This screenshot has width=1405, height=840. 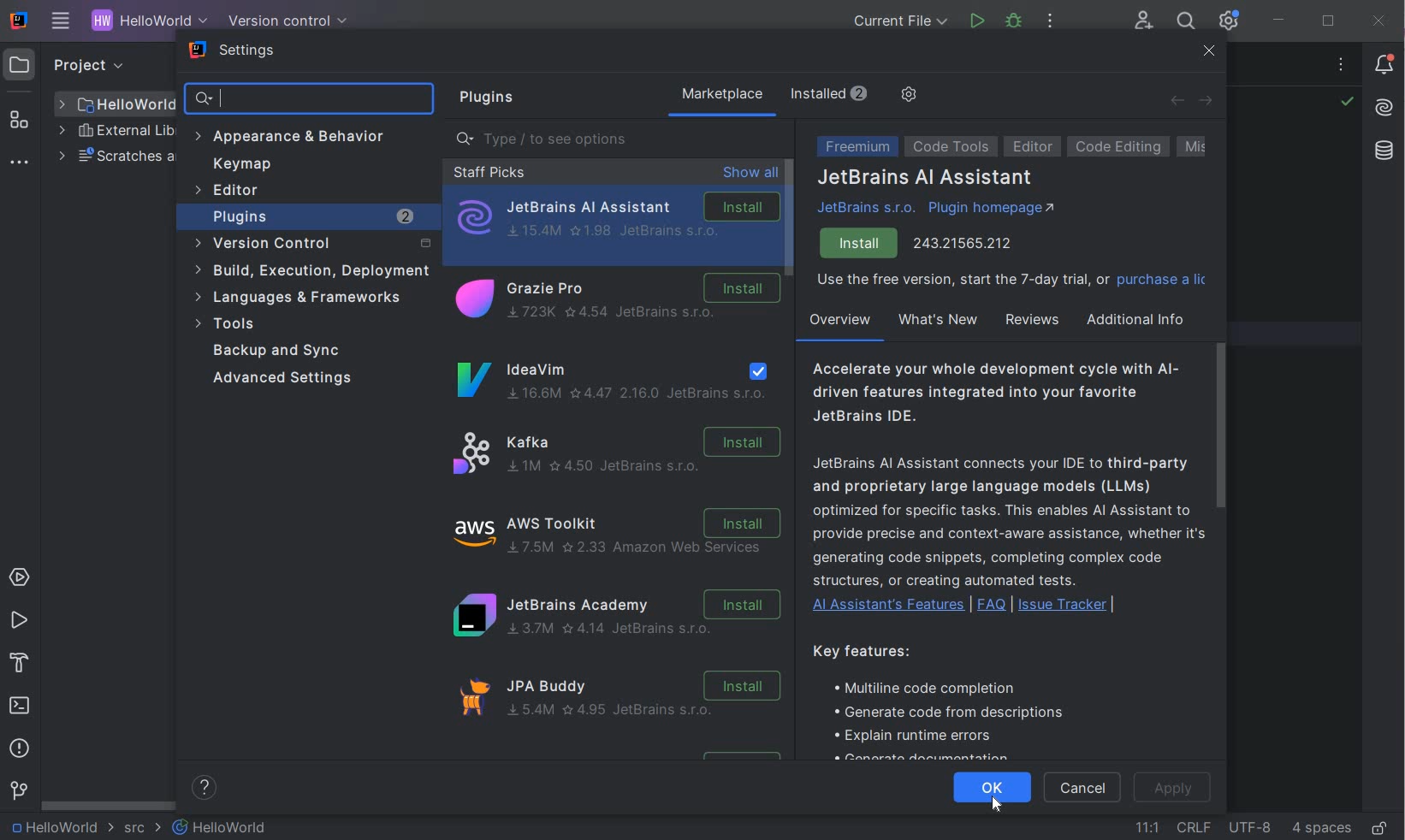 I want to click on GO TO LINE, so click(x=1147, y=825).